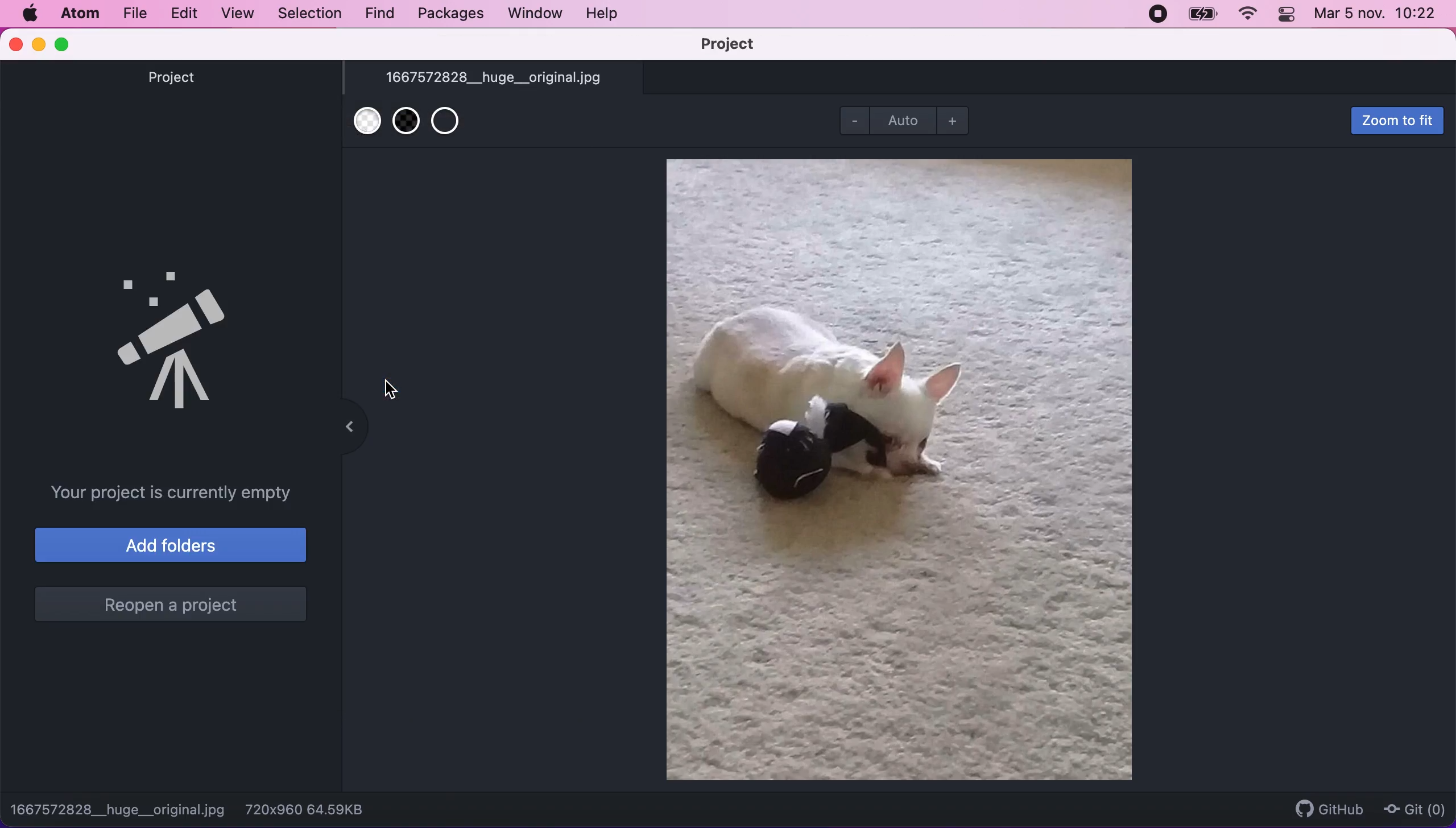 The image size is (1456, 828). What do you see at coordinates (390, 388) in the screenshot?
I see `cursor` at bounding box center [390, 388].